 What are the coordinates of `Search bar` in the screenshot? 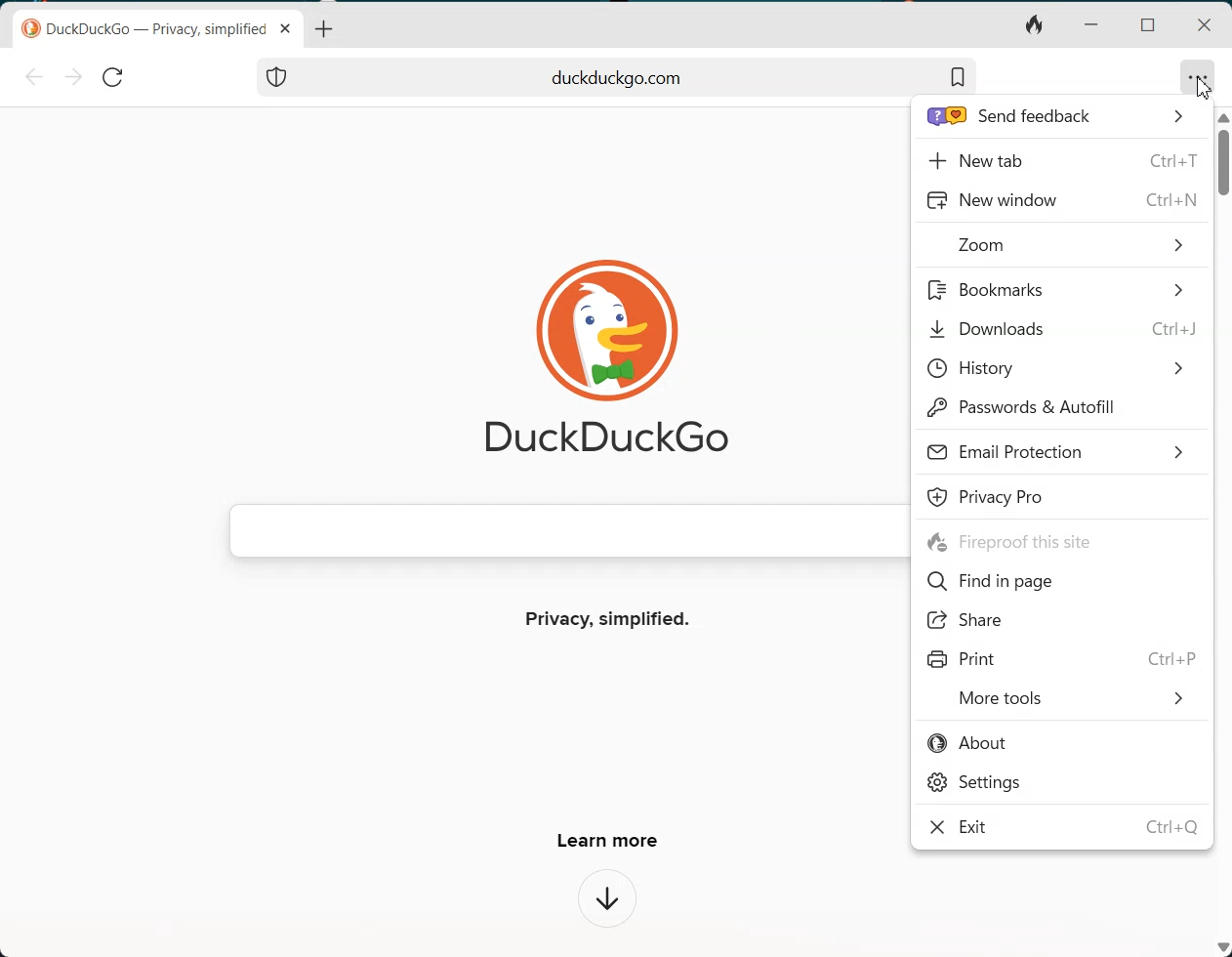 It's located at (563, 530).